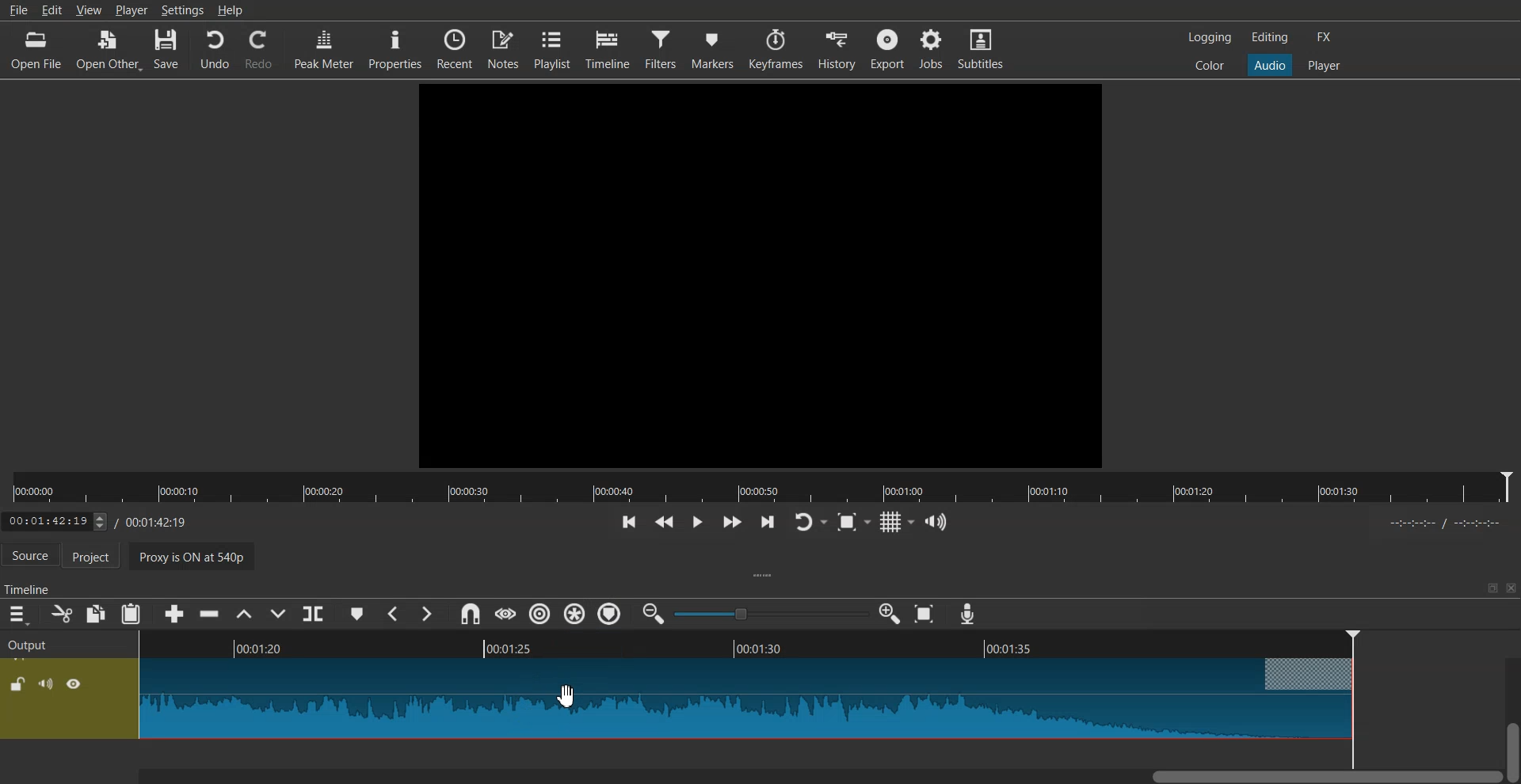 This screenshot has width=1521, height=784. Describe the element at coordinates (243, 614) in the screenshot. I see `Lift` at that location.